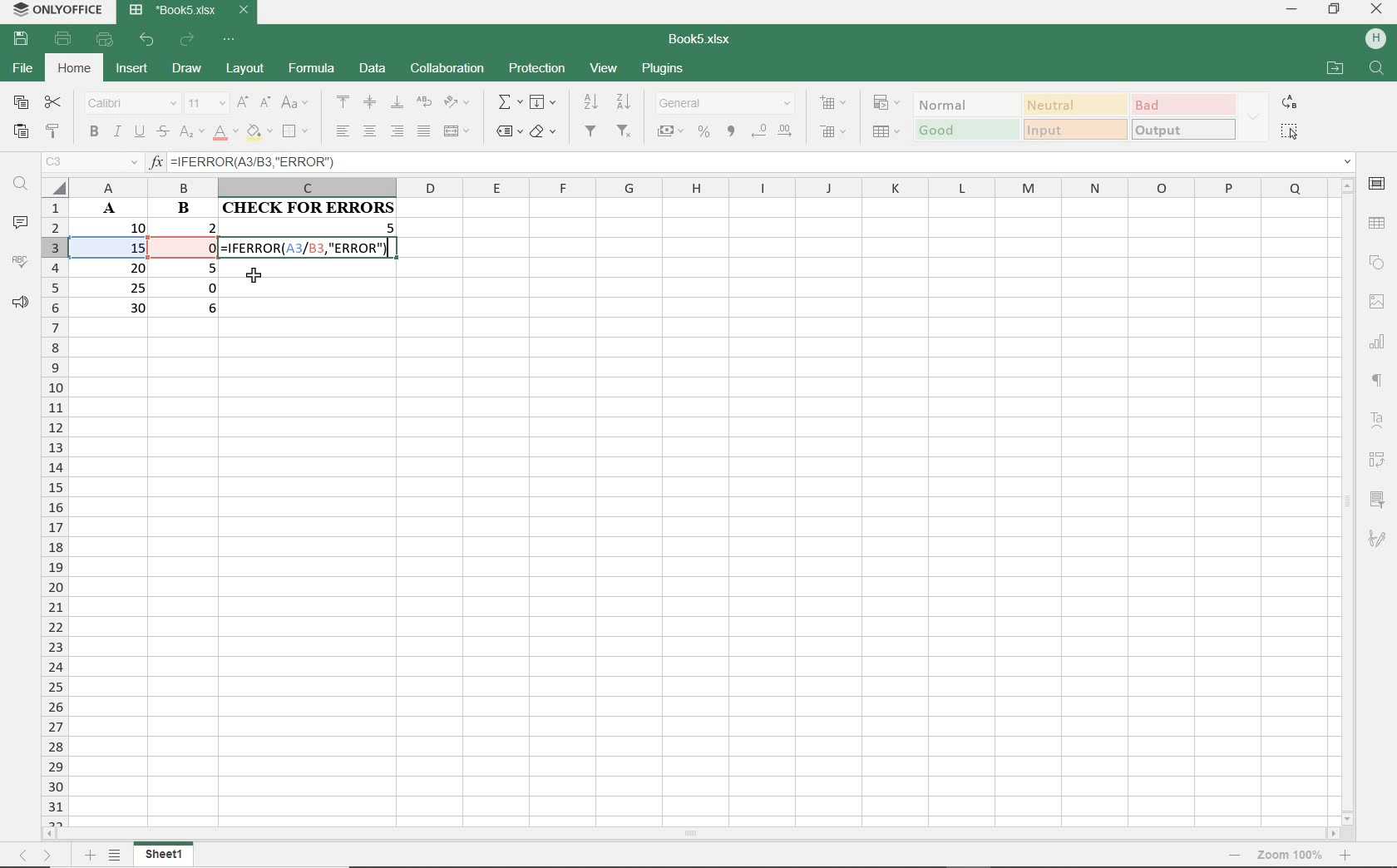 The image size is (1397, 868). Describe the element at coordinates (37, 855) in the screenshot. I see `` at that location.